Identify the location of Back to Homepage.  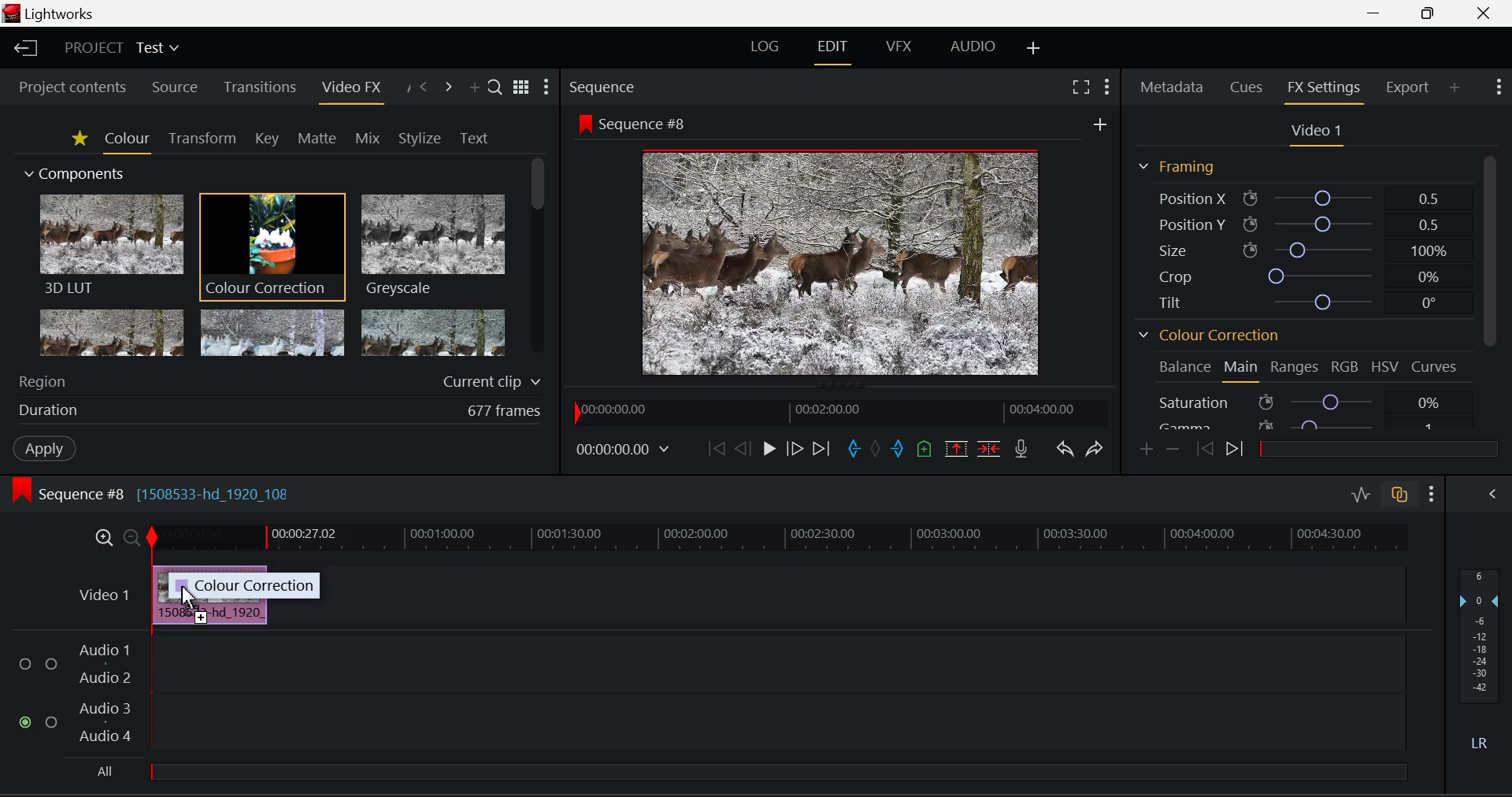
(24, 49).